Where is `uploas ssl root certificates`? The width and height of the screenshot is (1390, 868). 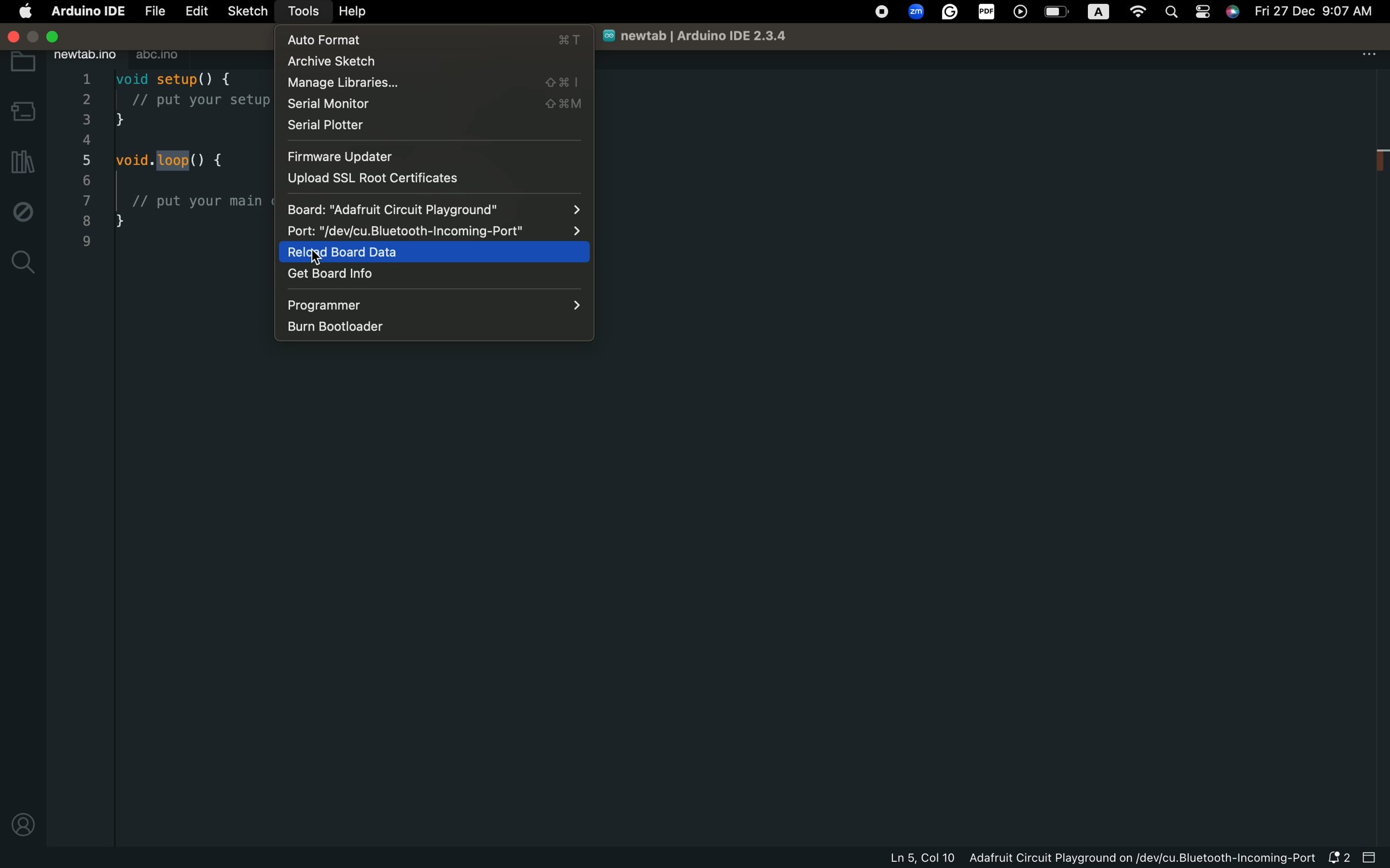 uploas ssl root certificates is located at coordinates (378, 179).